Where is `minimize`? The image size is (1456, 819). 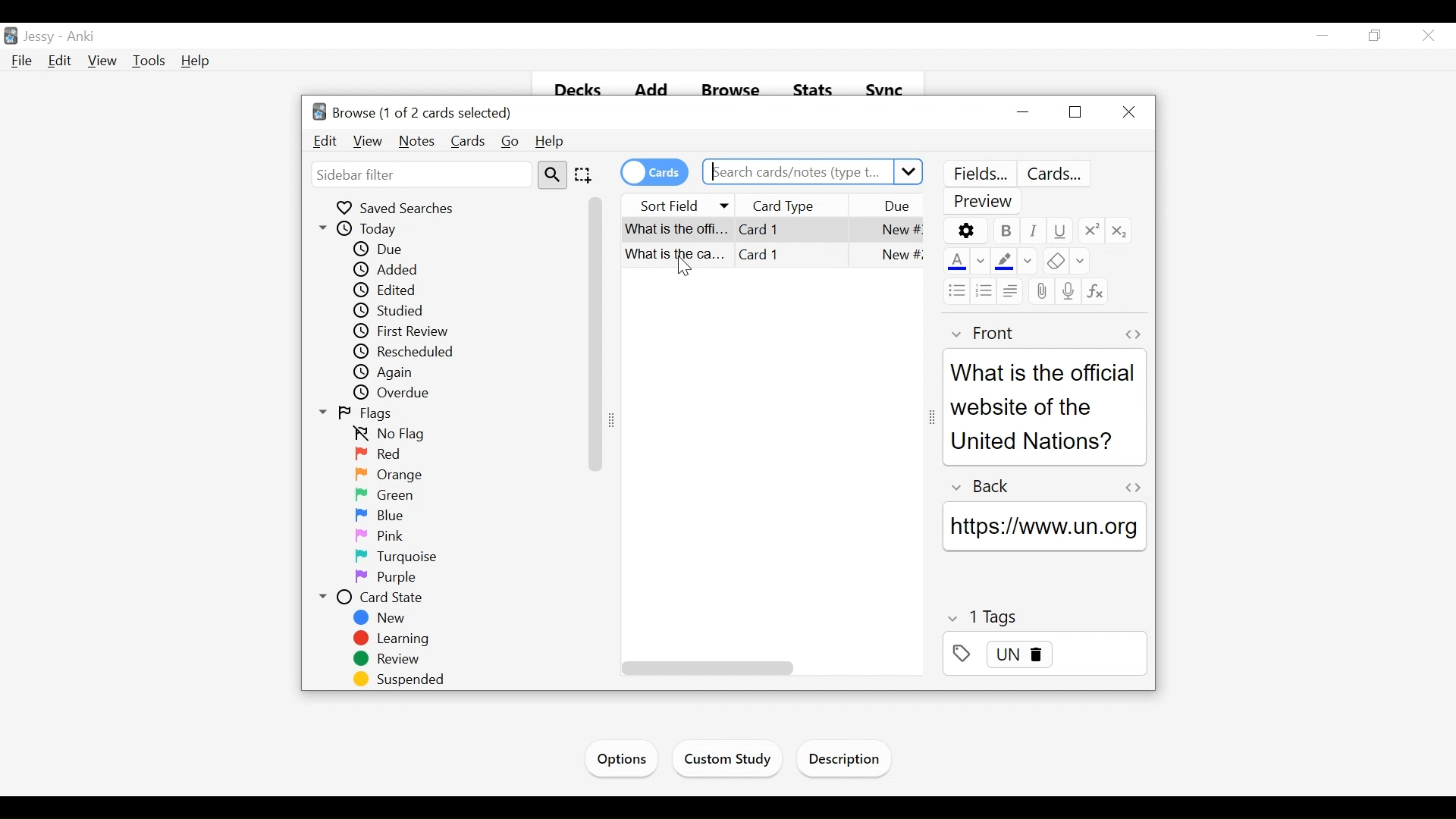 minimize is located at coordinates (1325, 36).